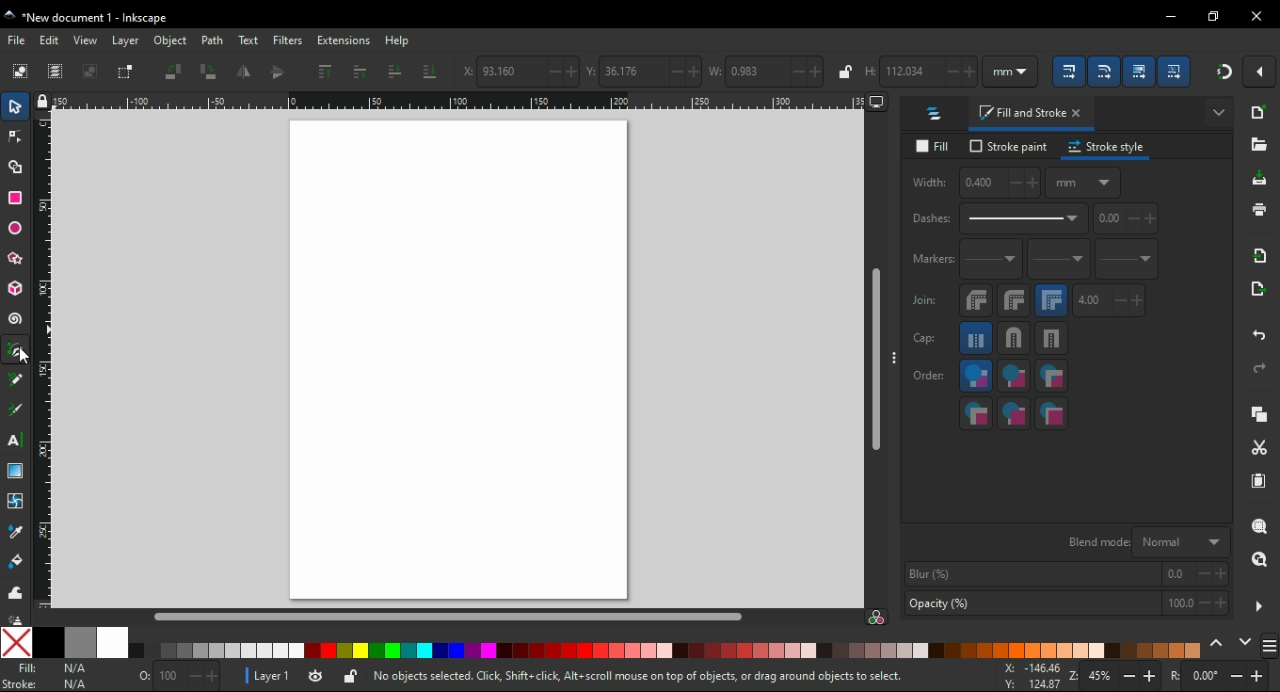  Describe the element at coordinates (275, 678) in the screenshot. I see `Layer 1` at that location.